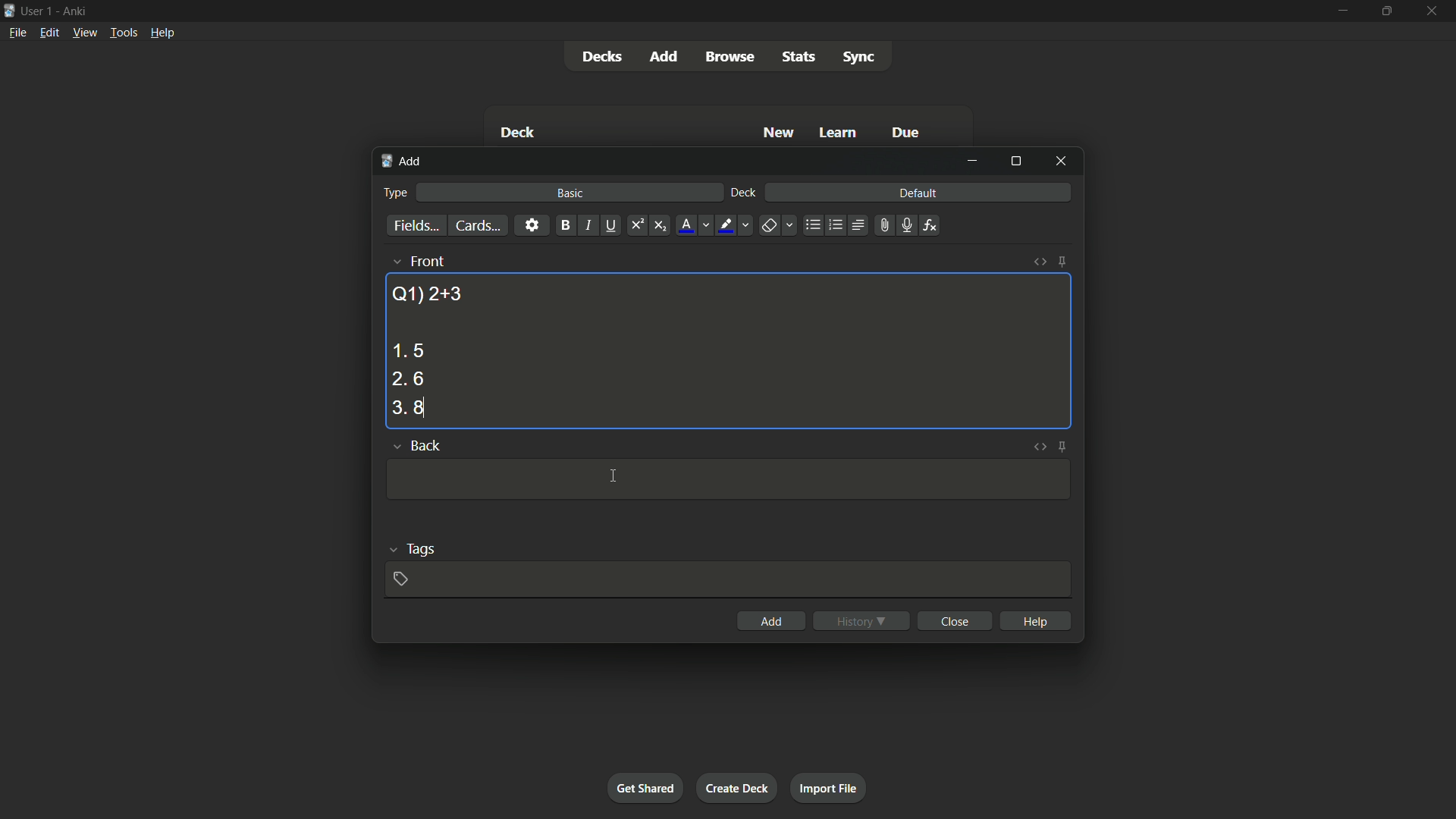 The image size is (1456, 819). I want to click on default, so click(918, 192).